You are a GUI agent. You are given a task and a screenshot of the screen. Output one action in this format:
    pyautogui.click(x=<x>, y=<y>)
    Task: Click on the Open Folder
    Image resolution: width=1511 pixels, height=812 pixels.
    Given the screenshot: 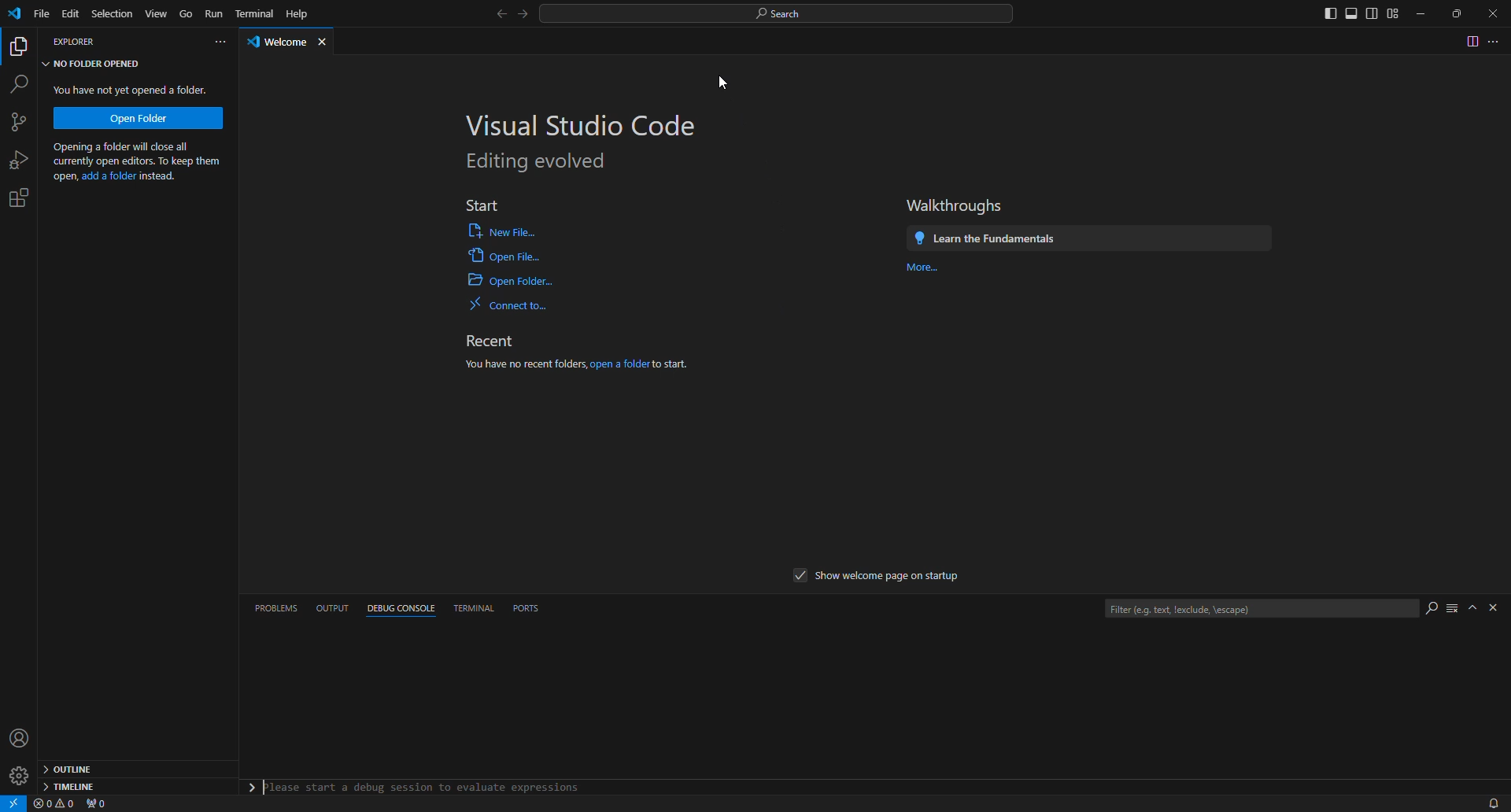 What is the action you would take?
    pyautogui.click(x=143, y=118)
    